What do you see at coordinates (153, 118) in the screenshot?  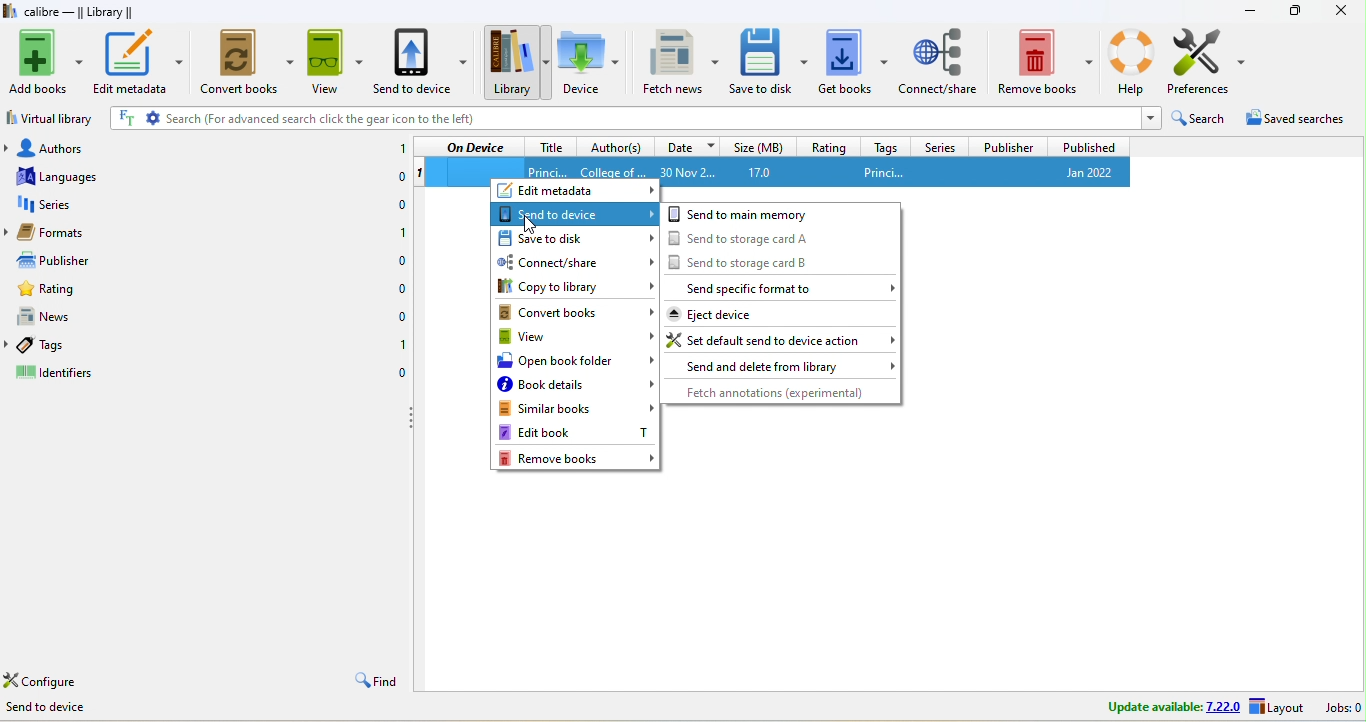 I see `settings` at bounding box center [153, 118].